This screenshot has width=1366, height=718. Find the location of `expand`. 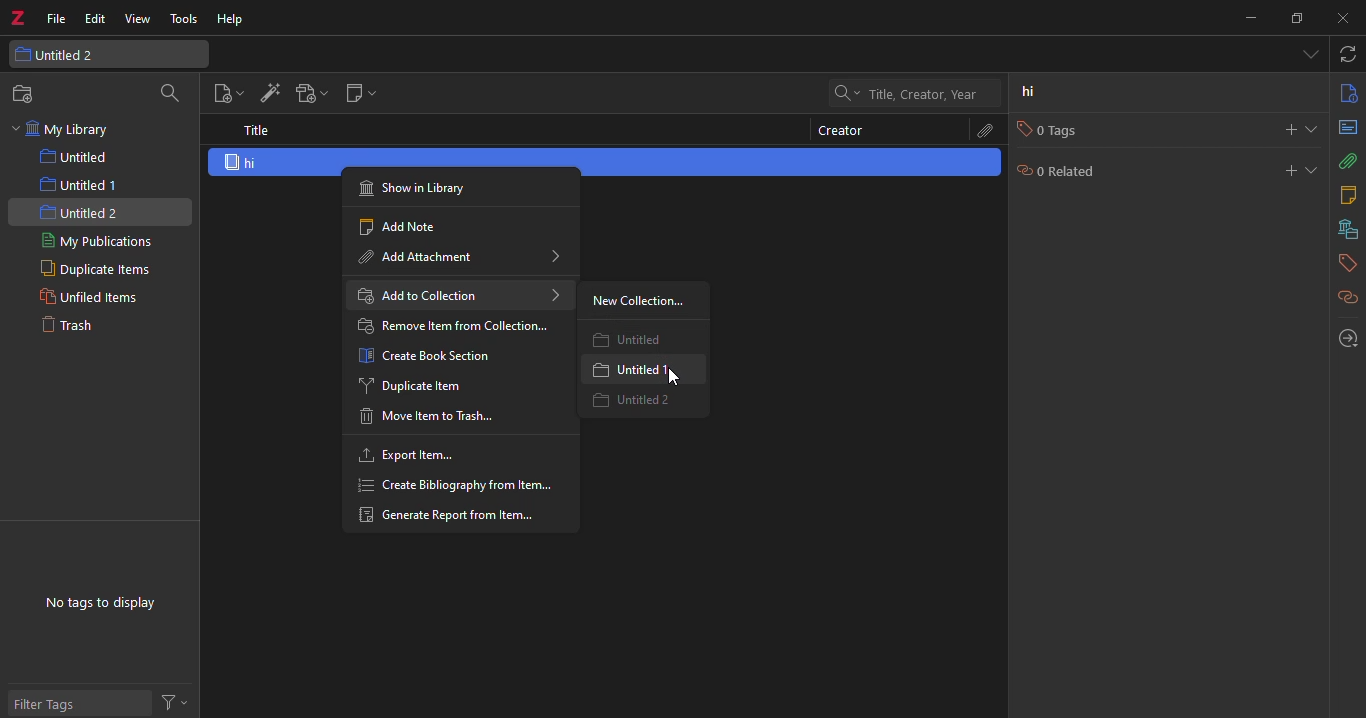

expand is located at coordinates (1315, 169).